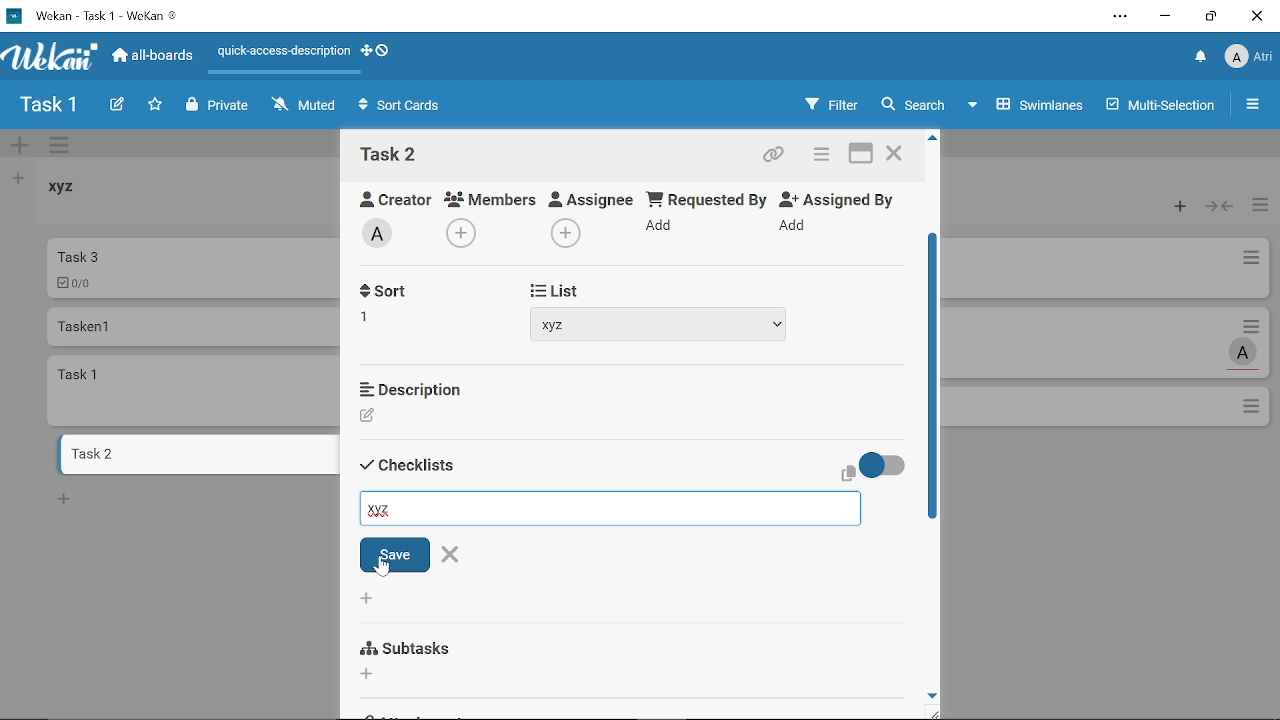 This screenshot has width=1280, height=720. Describe the element at coordinates (195, 390) in the screenshot. I see `card named "task 1"` at that location.